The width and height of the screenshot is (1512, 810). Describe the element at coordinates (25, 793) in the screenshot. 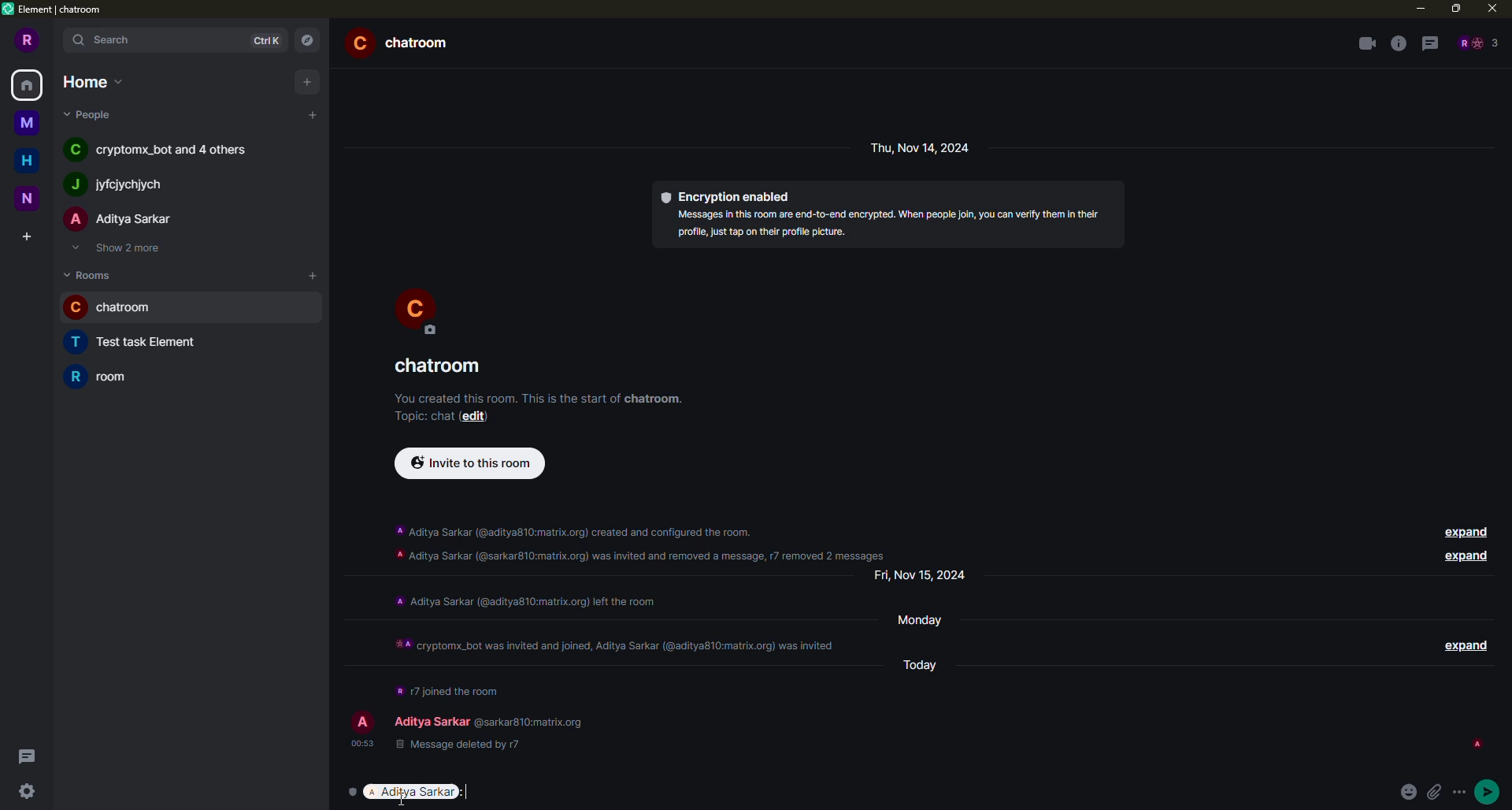

I see `quick settings` at that location.